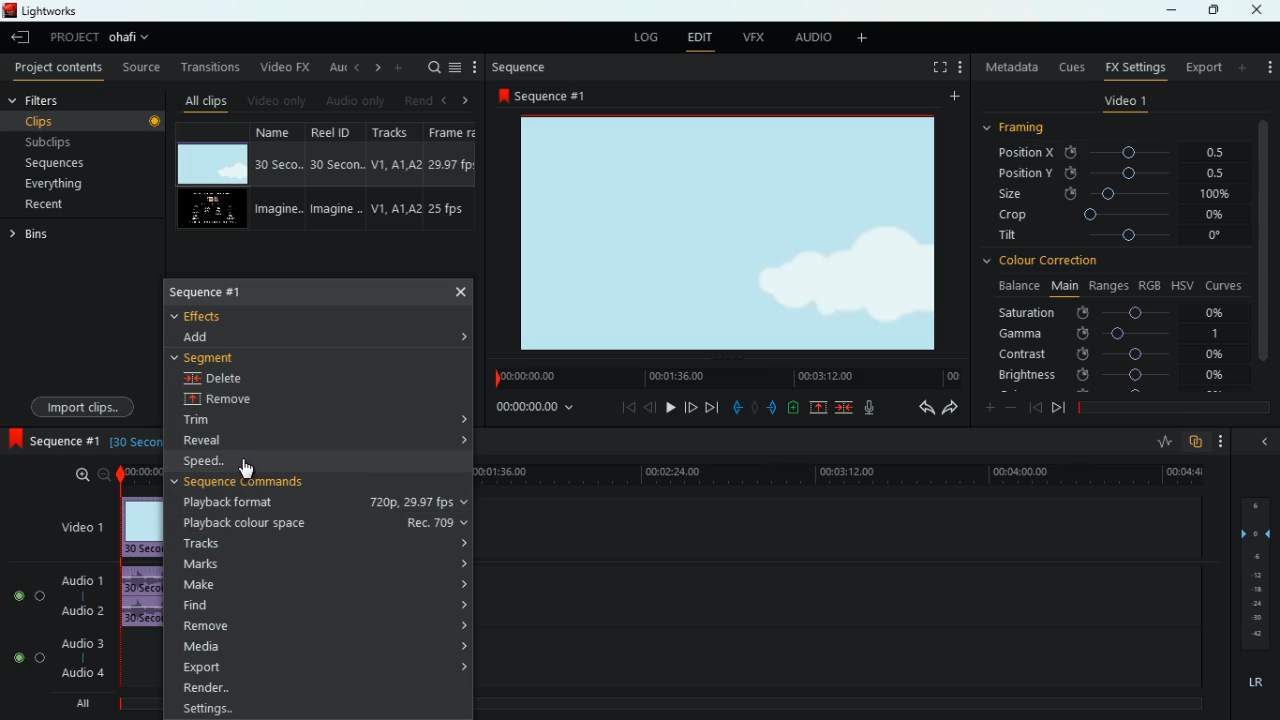  What do you see at coordinates (1123, 102) in the screenshot?
I see `video 1` at bounding box center [1123, 102].